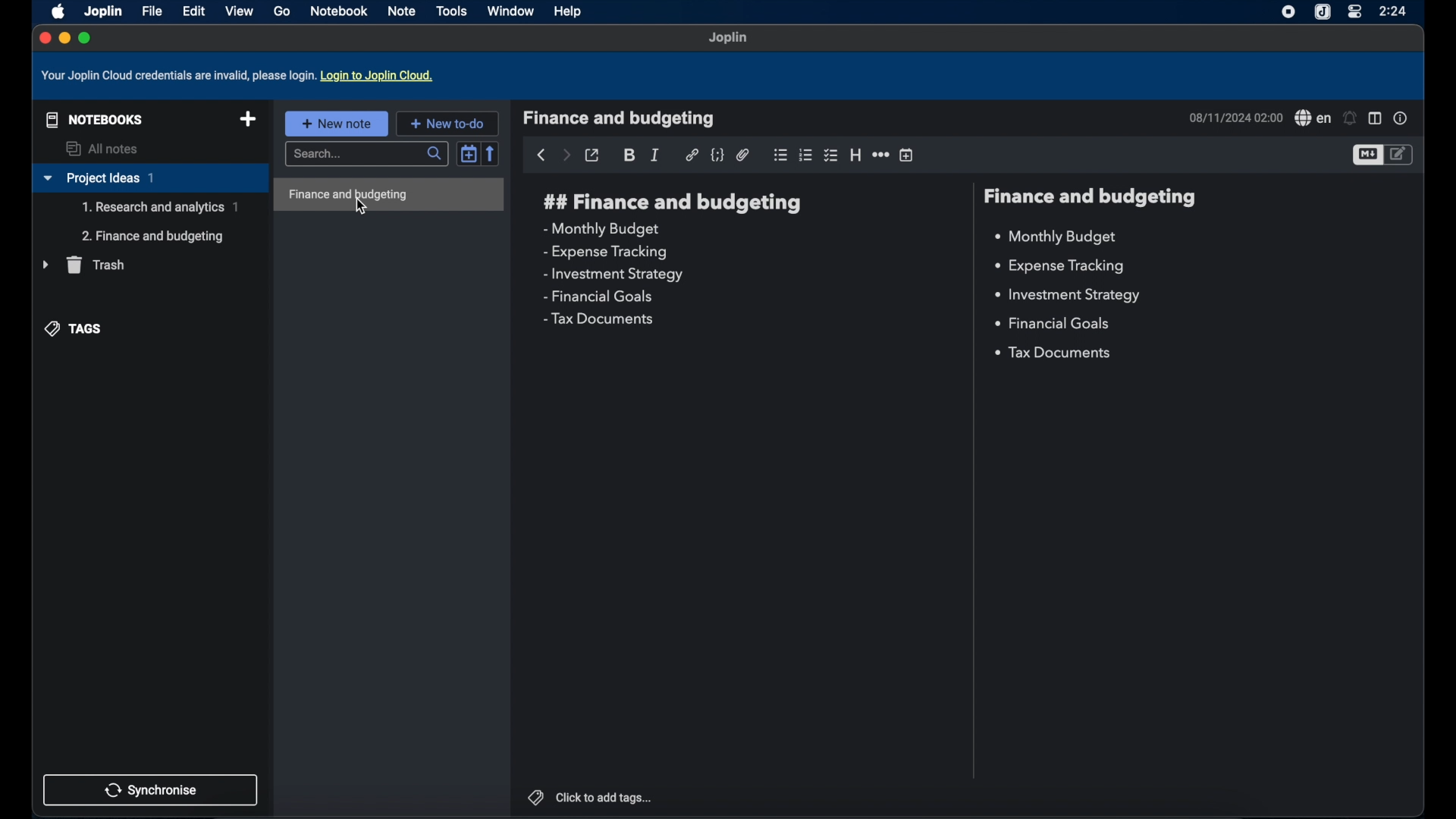 The width and height of the screenshot is (1456, 819). What do you see at coordinates (75, 328) in the screenshot?
I see `tags` at bounding box center [75, 328].